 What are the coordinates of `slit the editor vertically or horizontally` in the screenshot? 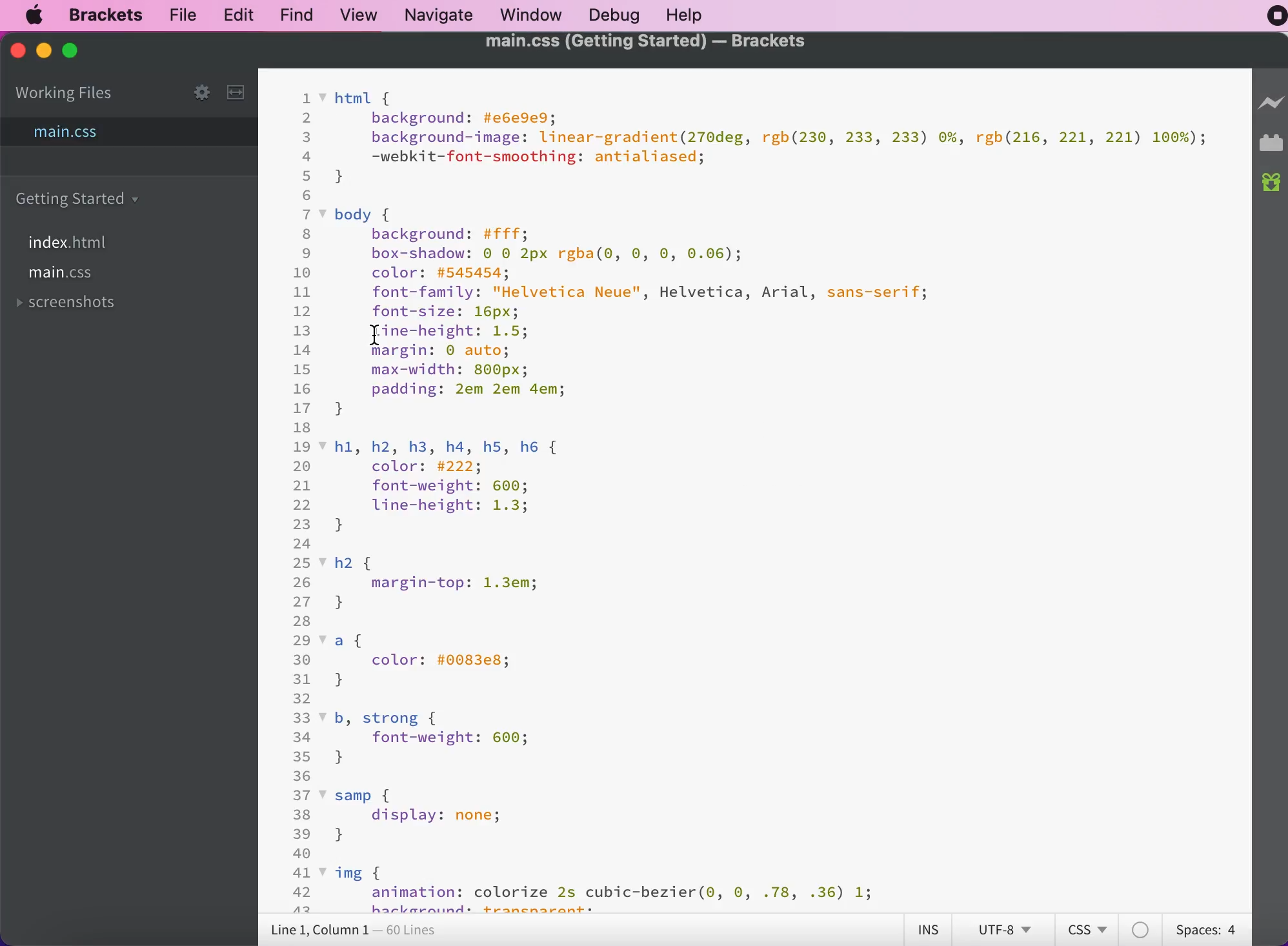 It's located at (235, 94).